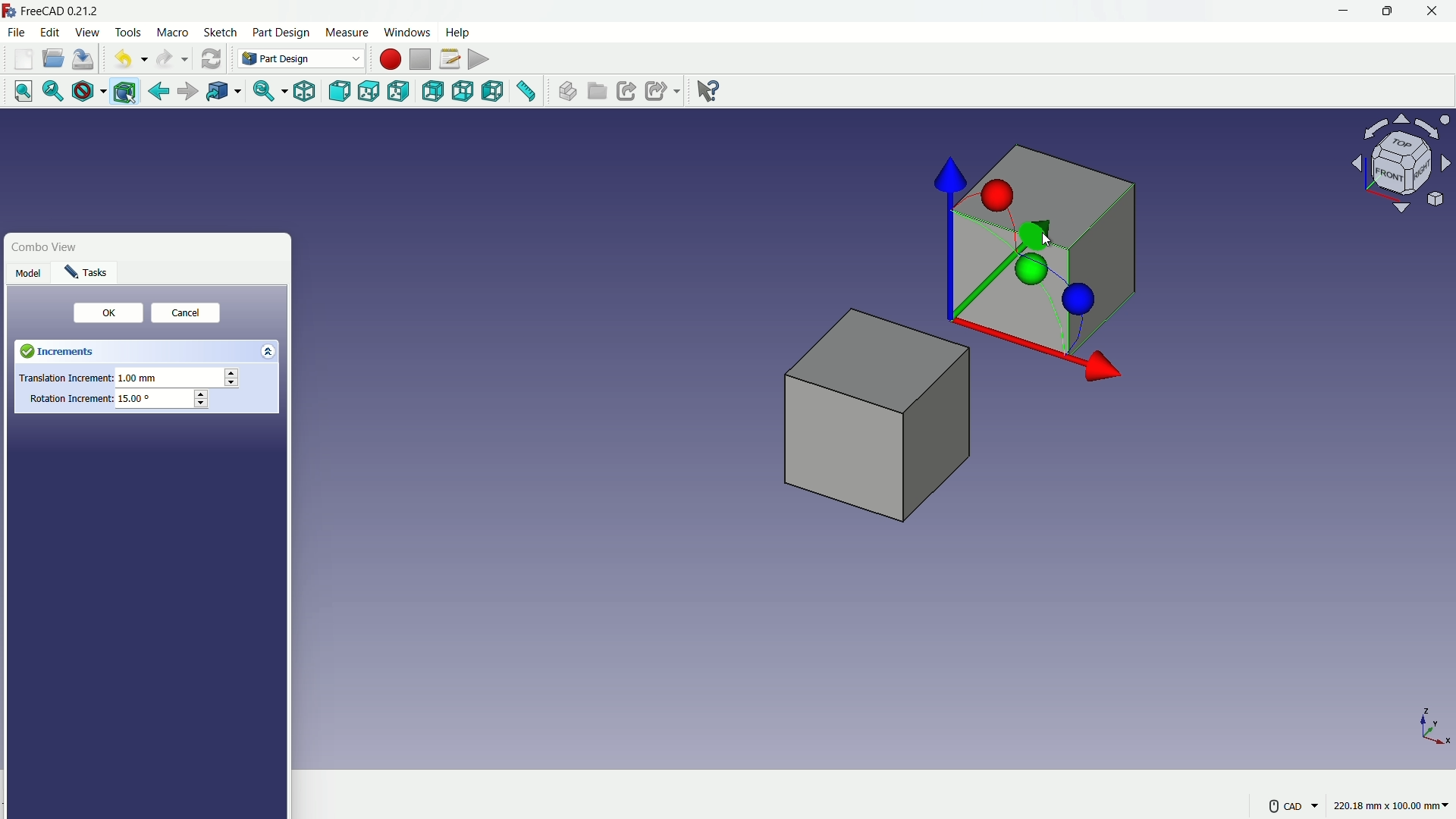  Describe the element at coordinates (704, 89) in the screenshot. I see `help extension` at that location.